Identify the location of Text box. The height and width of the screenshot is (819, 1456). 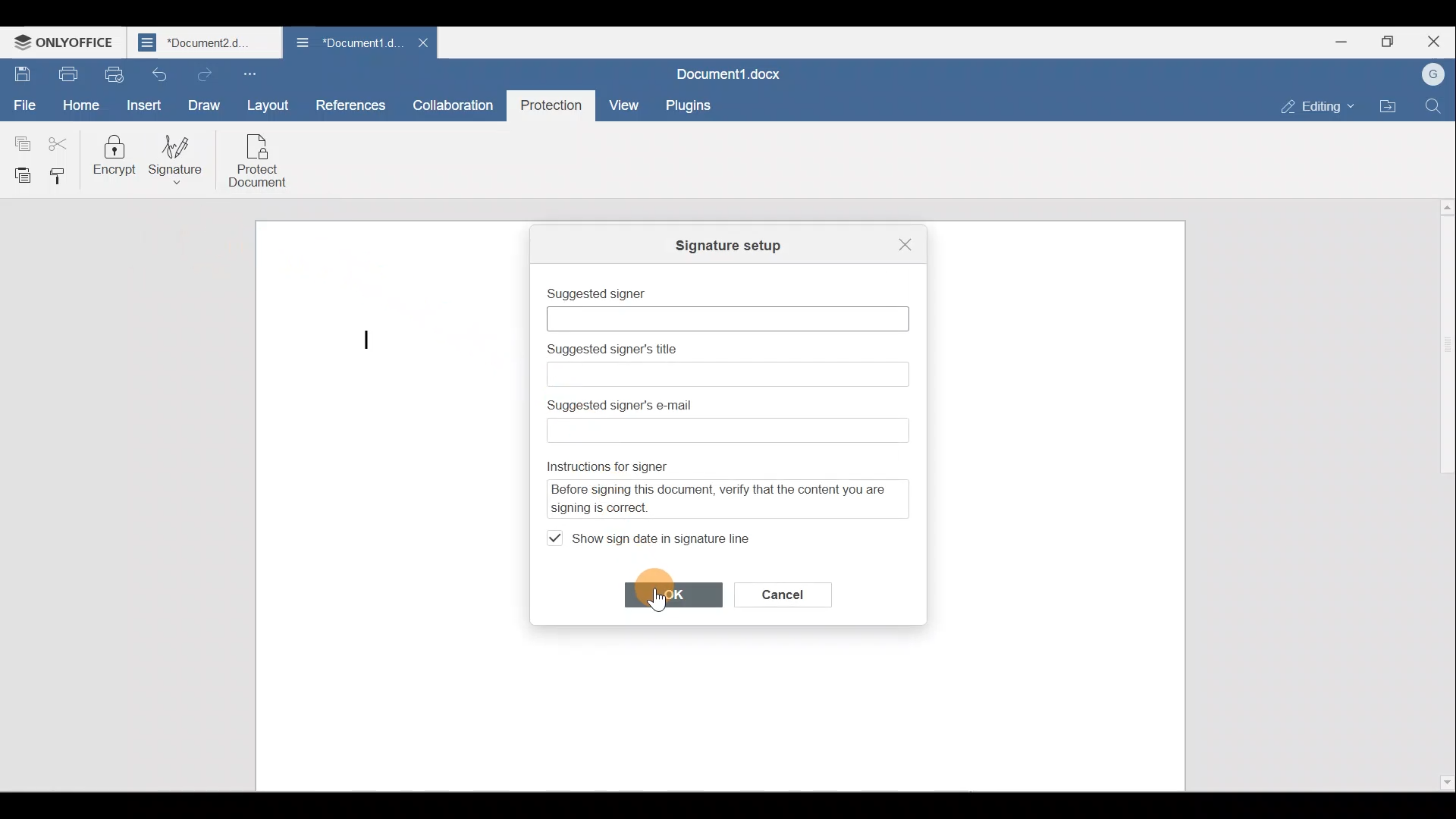
(720, 375).